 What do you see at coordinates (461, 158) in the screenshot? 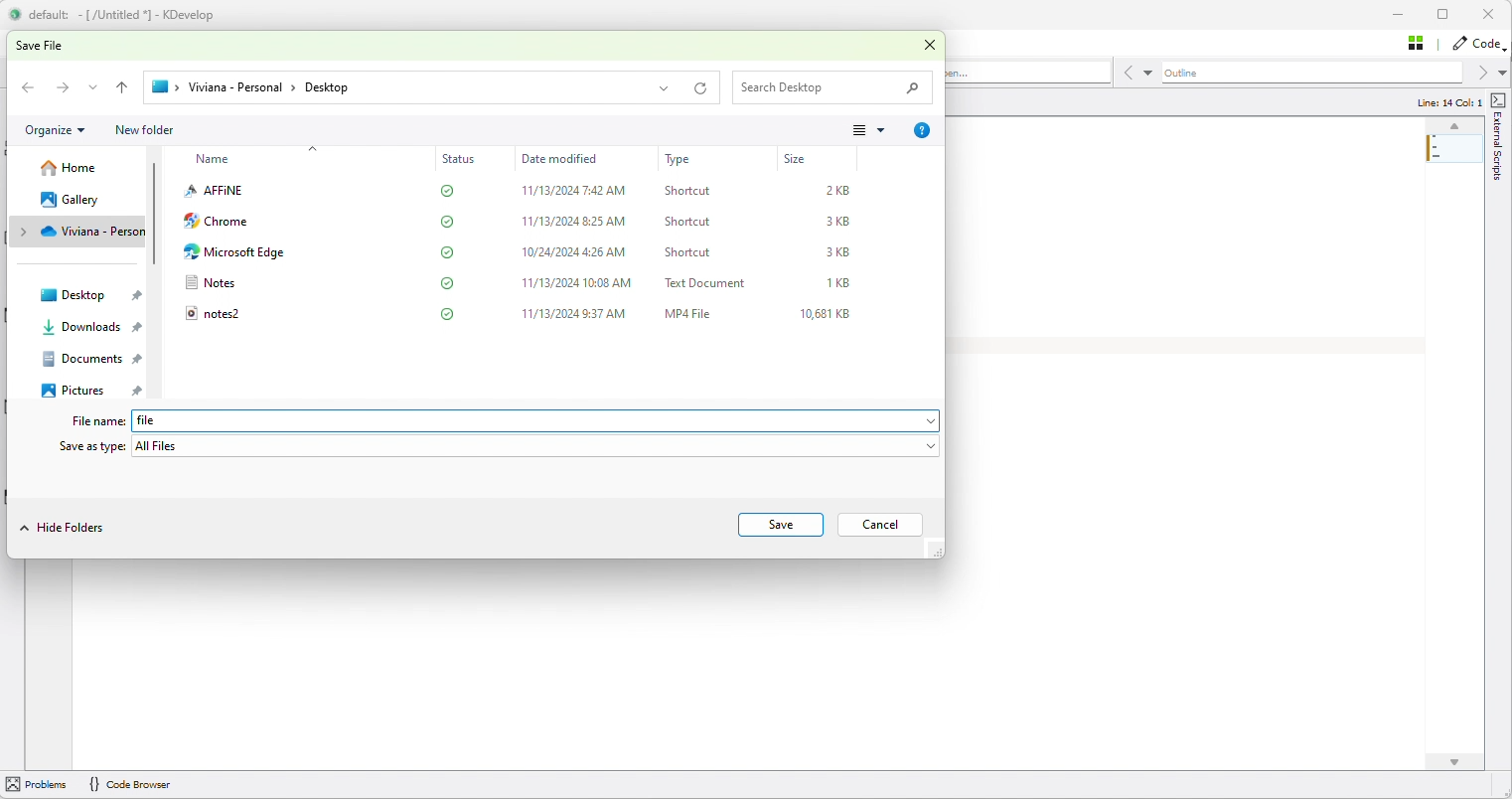
I see `Status` at bounding box center [461, 158].